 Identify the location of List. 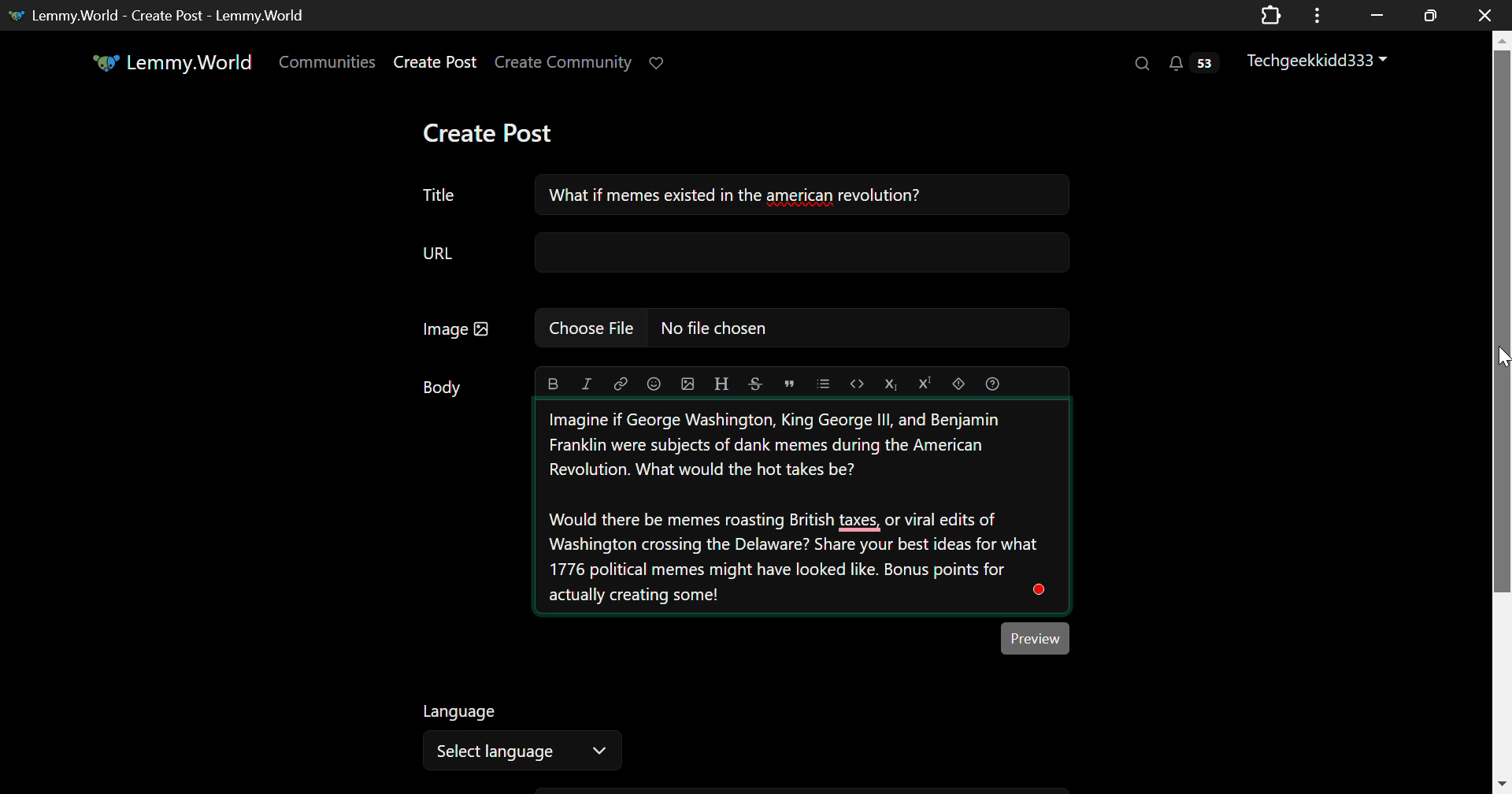
(824, 383).